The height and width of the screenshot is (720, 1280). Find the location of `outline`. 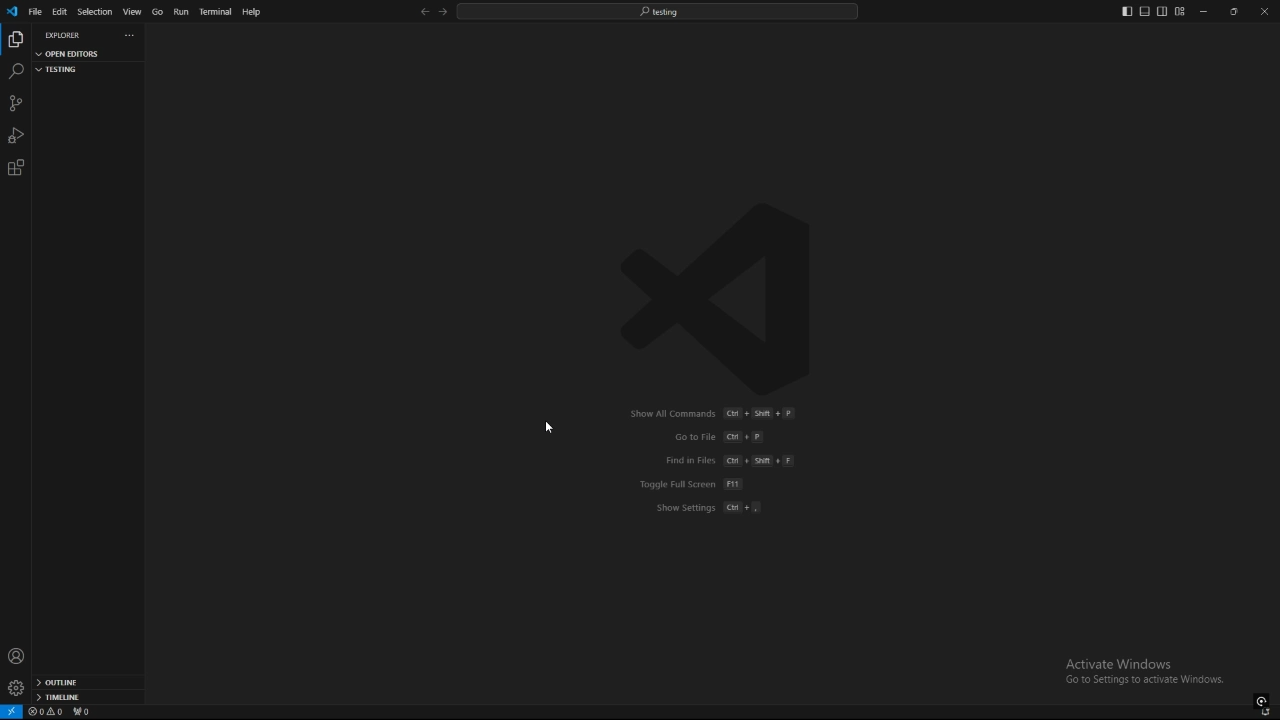

outline is located at coordinates (88, 683).